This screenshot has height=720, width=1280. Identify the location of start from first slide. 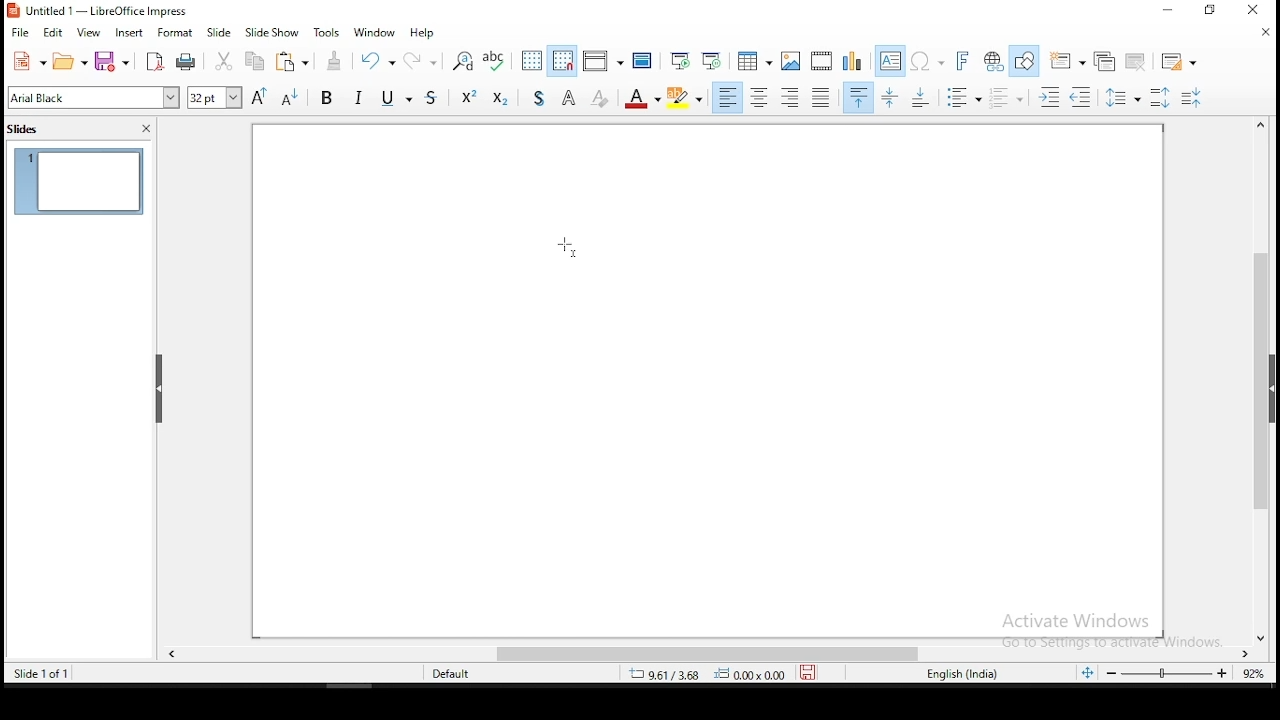
(679, 60).